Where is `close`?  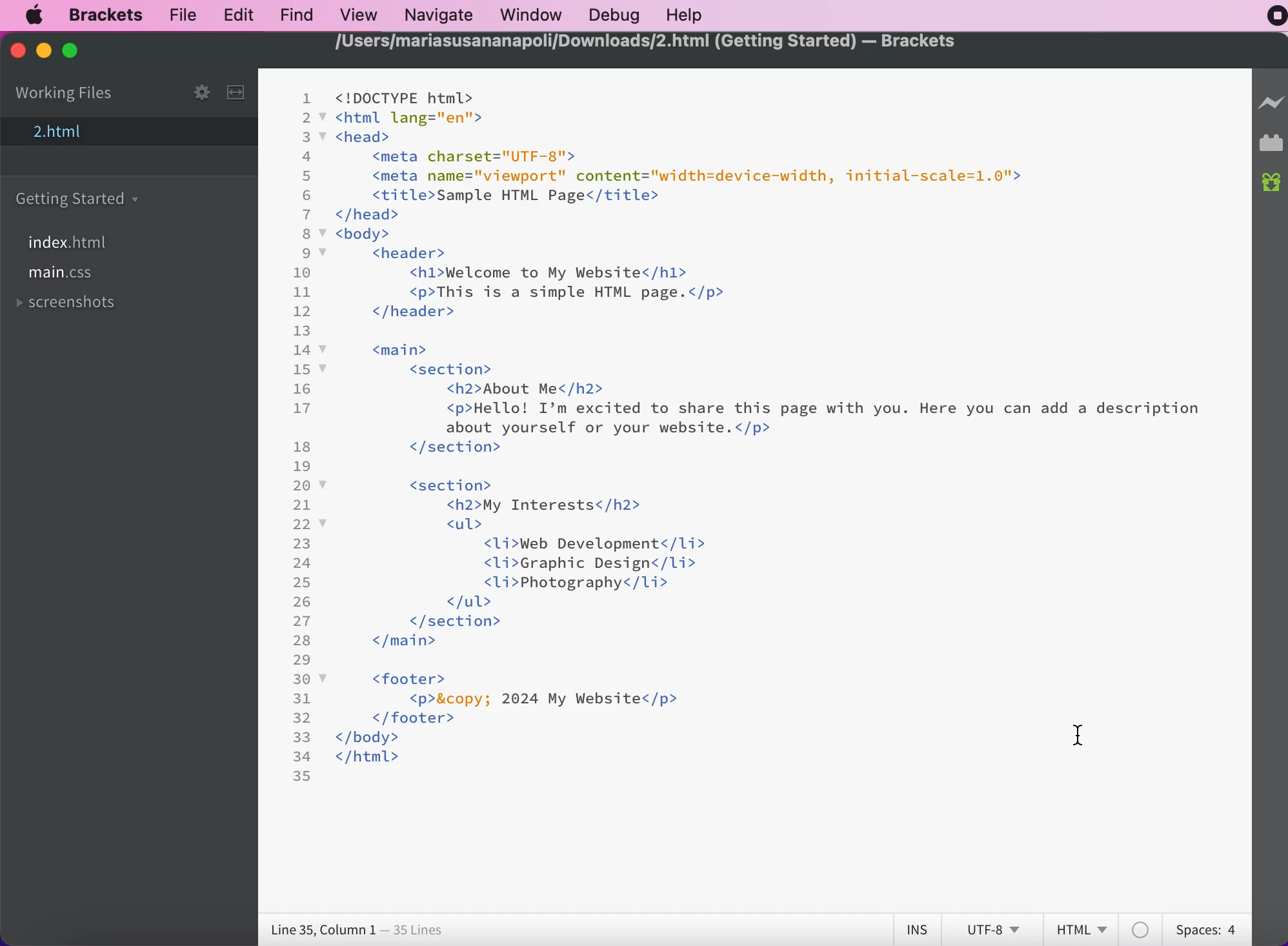
close is located at coordinates (19, 52).